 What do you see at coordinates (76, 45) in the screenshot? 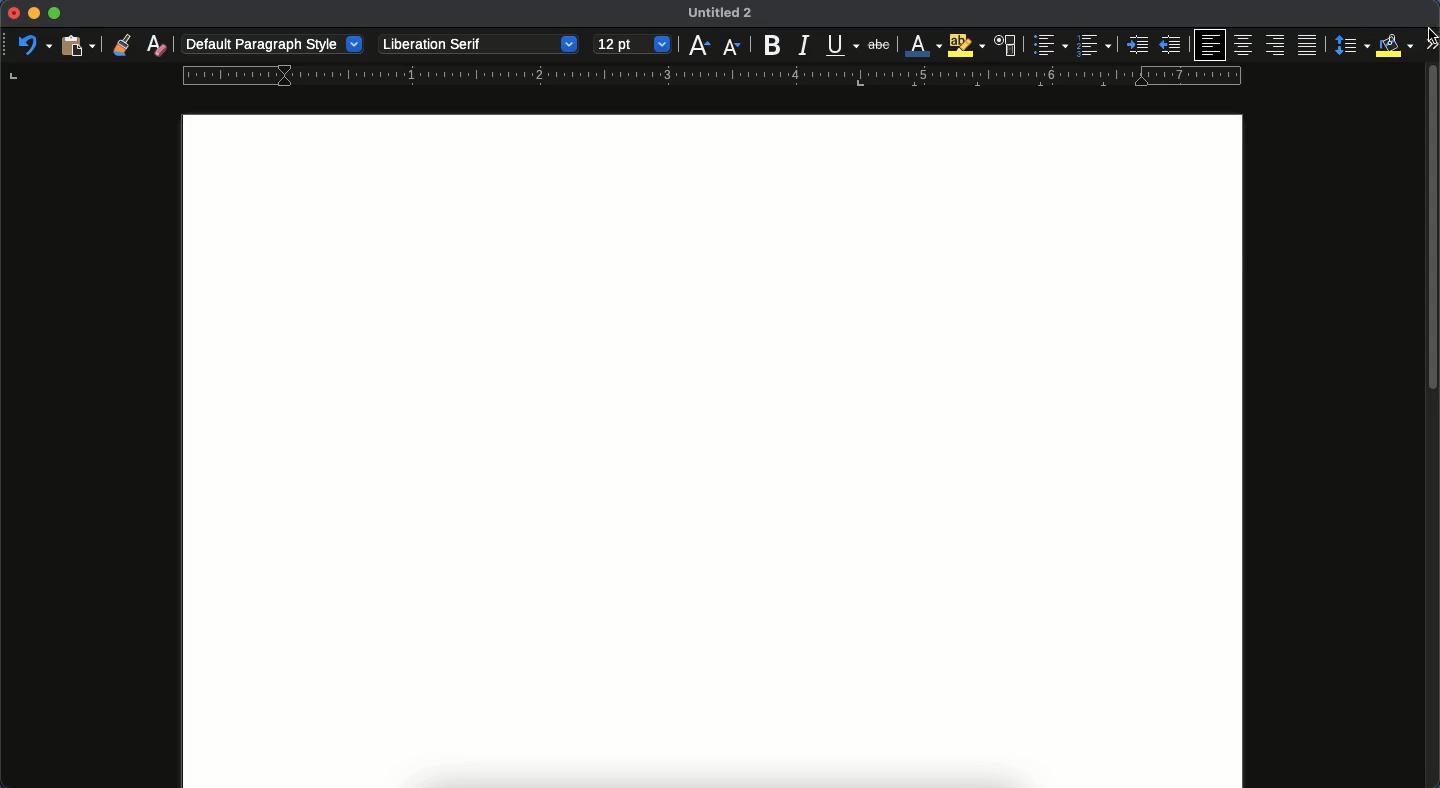
I see `paste` at bounding box center [76, 45].